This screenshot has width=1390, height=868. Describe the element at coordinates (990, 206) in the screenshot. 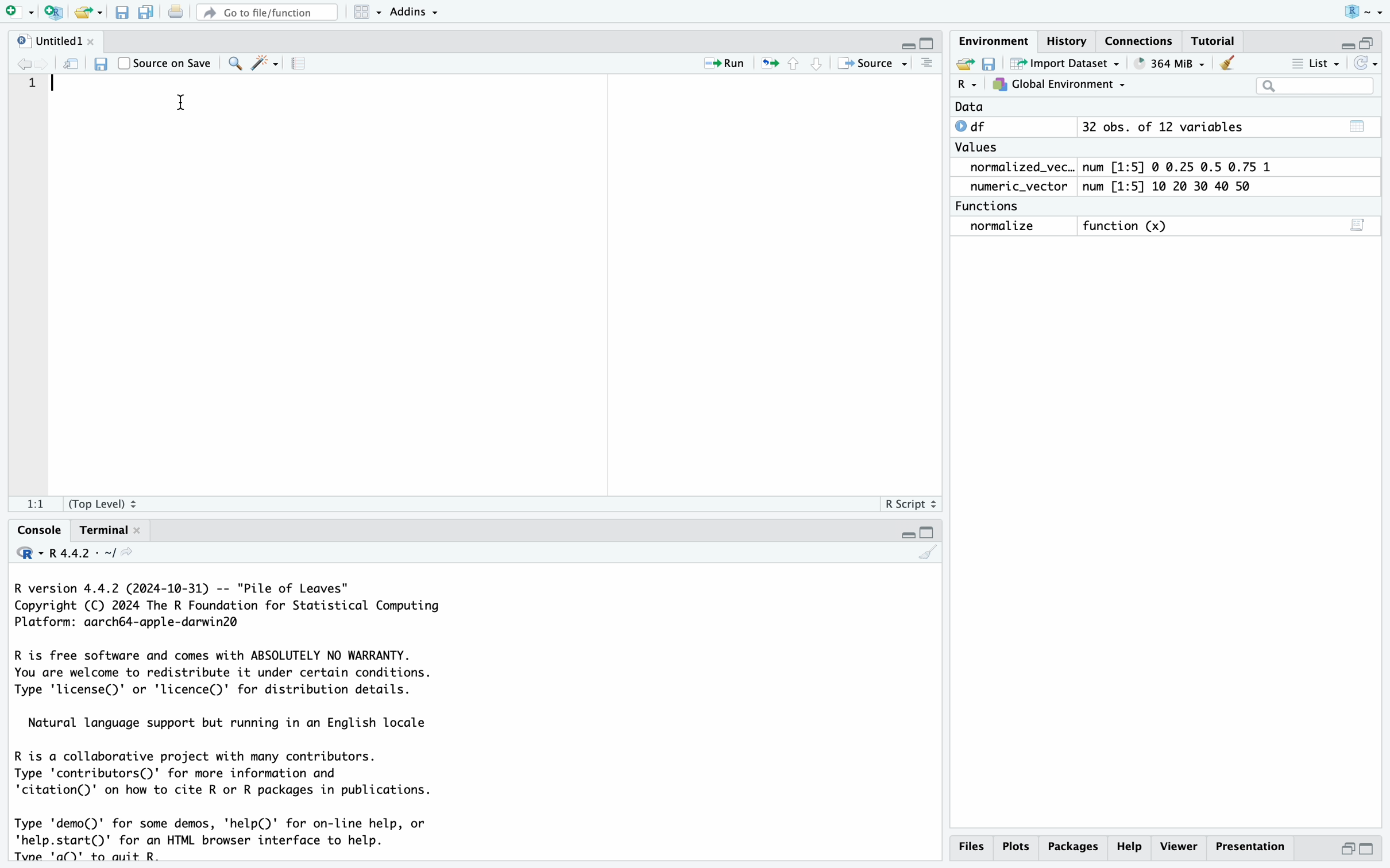

I see `Functions` at that location.